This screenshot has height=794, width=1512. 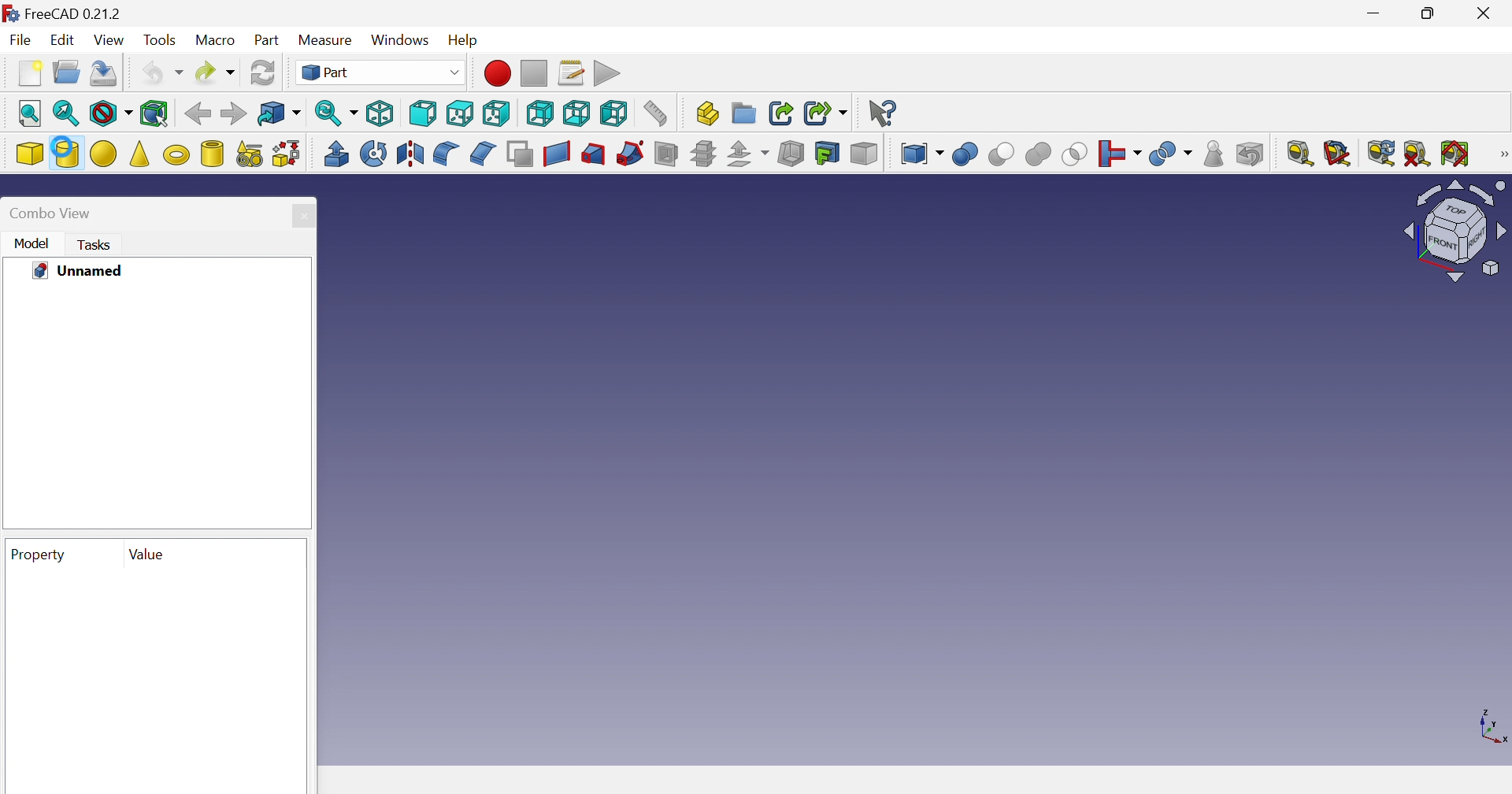 I want to click on Fit selection, so click(x=66, y=113).